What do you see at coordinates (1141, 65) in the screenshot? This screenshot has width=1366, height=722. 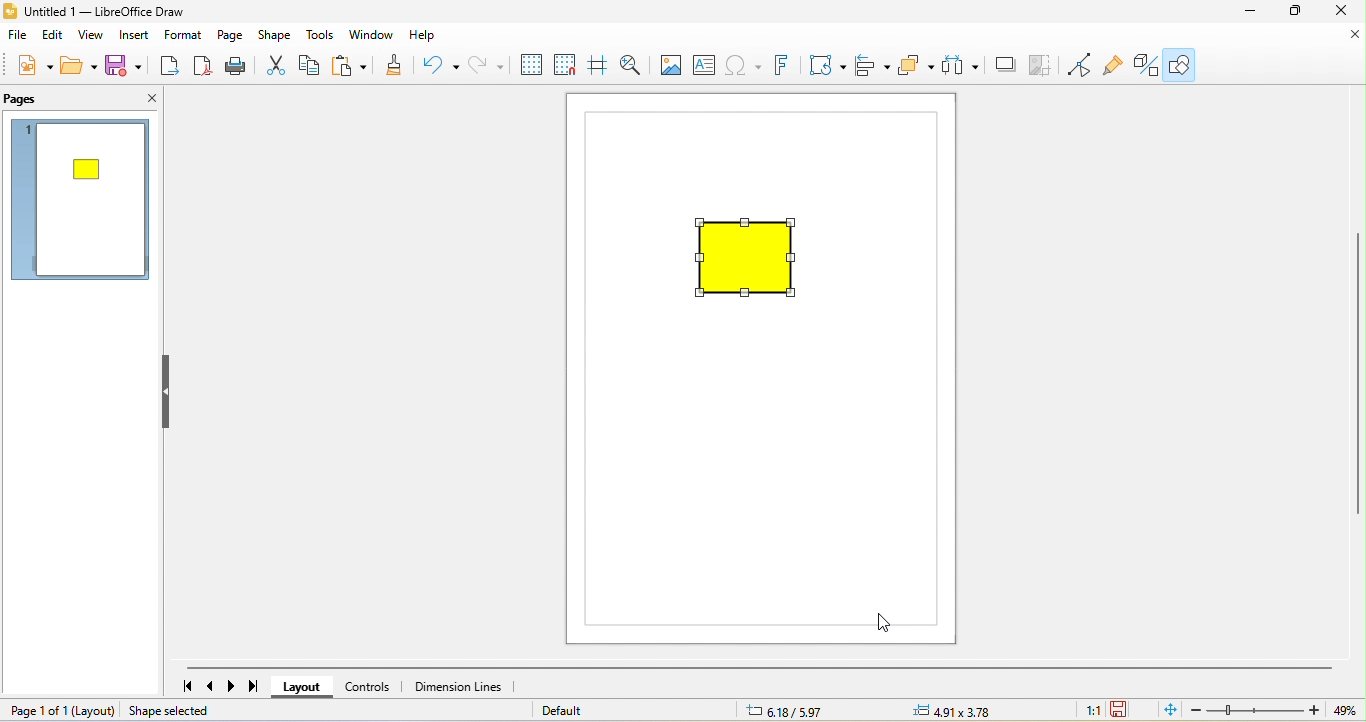 I see `toggle extrusion` at bounding box center [1141, 65].